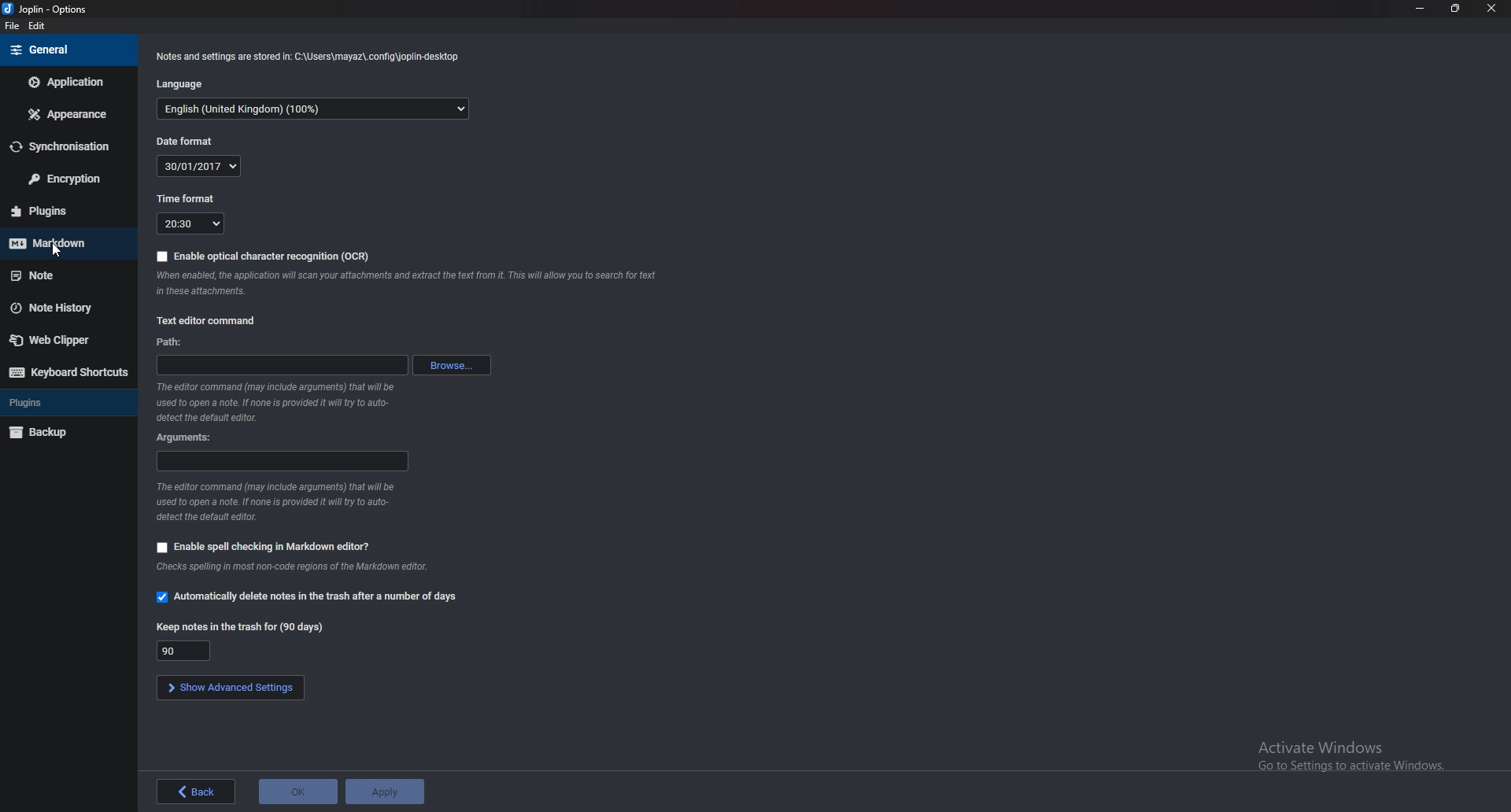 The height and width of the screenshot is (812, 1511). Describe the element at coordinates (299, 568) in the screenshot. I see `Checks spelling in most non-code regions of the Markdown editor.` at that location.